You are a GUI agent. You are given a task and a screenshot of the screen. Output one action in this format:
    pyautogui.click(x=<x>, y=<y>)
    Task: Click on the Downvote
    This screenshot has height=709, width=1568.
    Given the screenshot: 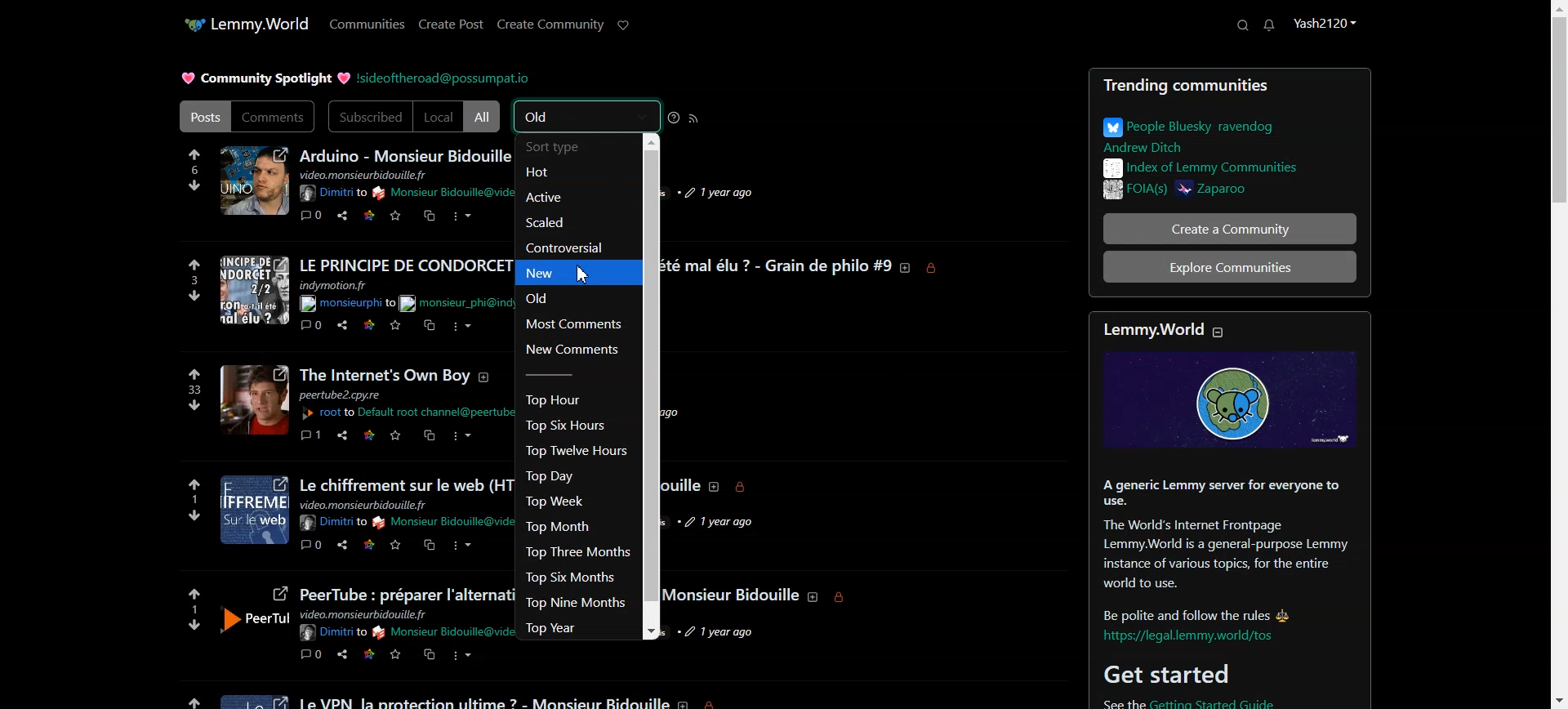 What is the action you would take?
    pyautogui.click(x=194, y=185)
    